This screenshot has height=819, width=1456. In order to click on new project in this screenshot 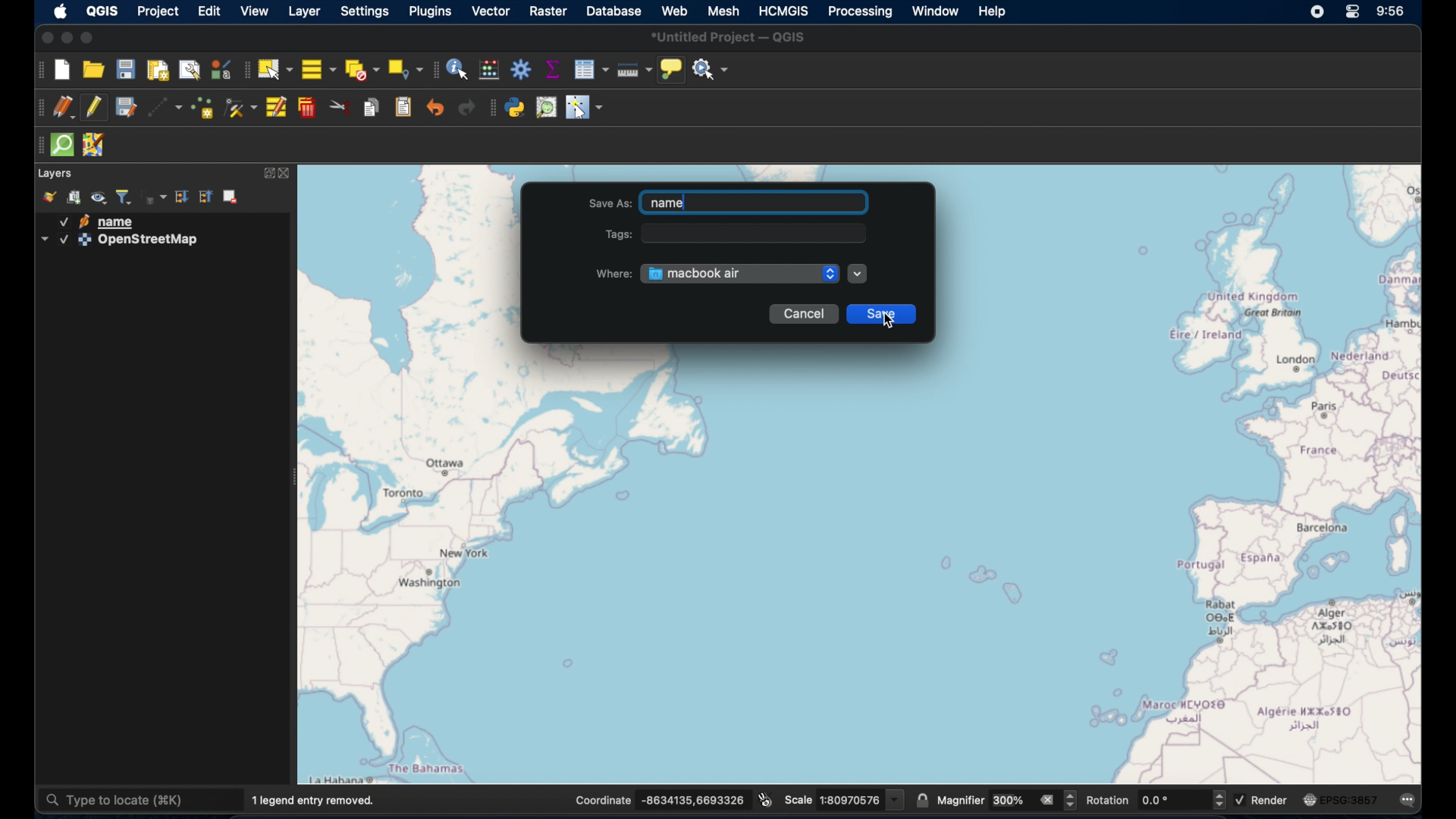, I will do `click(64, 71)`.